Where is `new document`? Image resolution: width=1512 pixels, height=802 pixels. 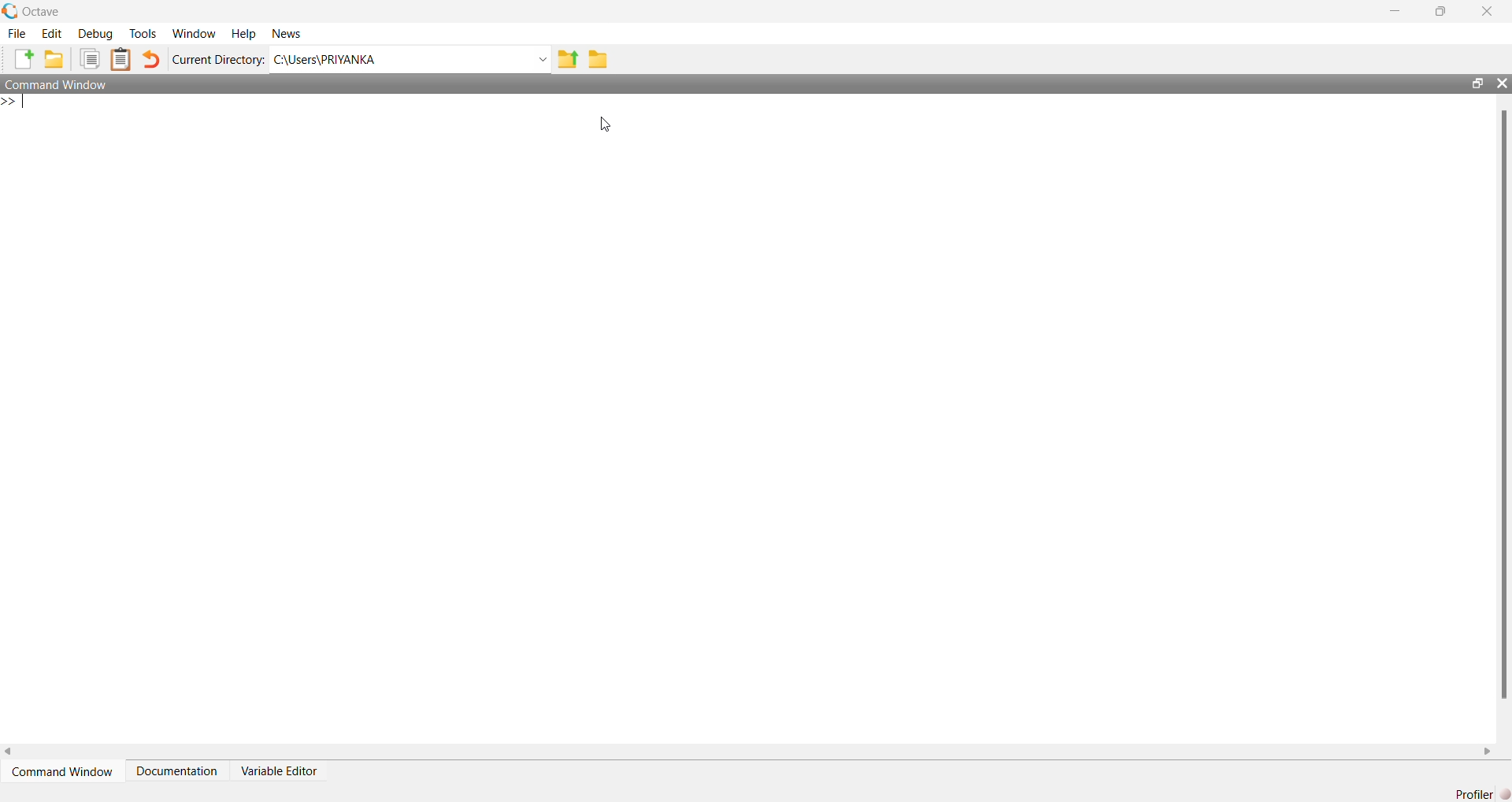 new document is located at coordinates (23, 58).